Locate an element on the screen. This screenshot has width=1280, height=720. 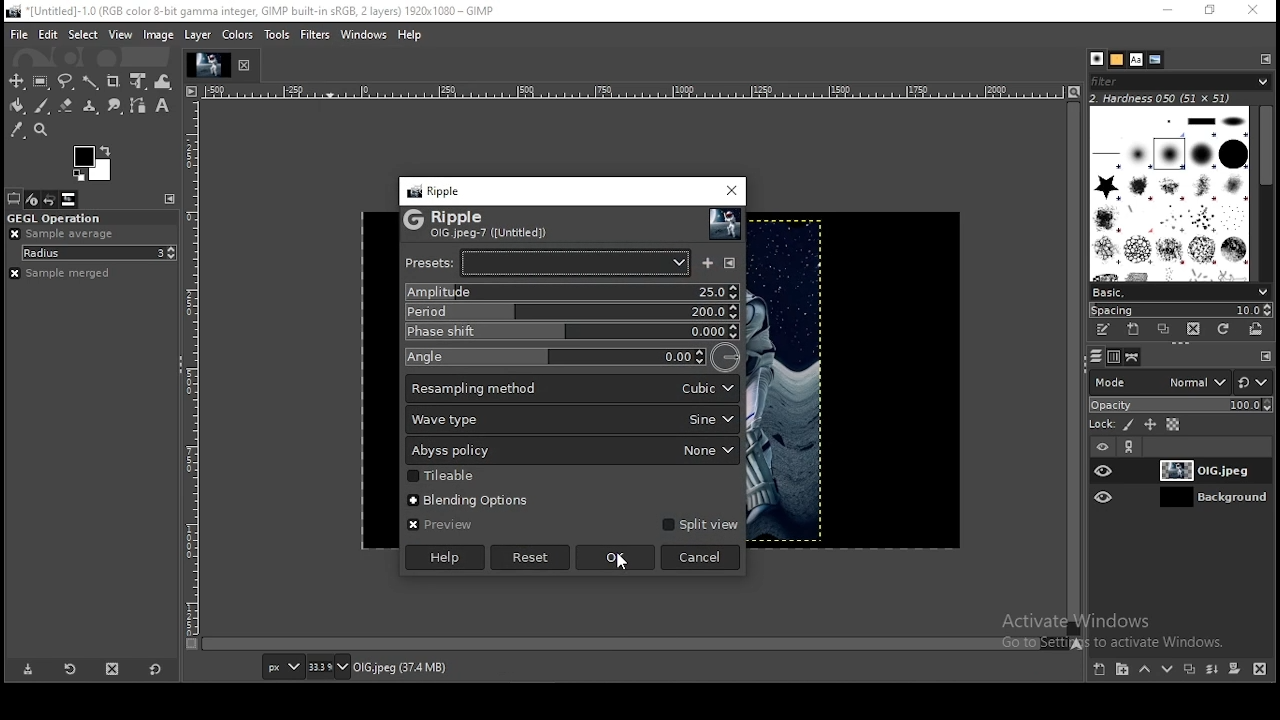
file is located at coordinates (21, 35).